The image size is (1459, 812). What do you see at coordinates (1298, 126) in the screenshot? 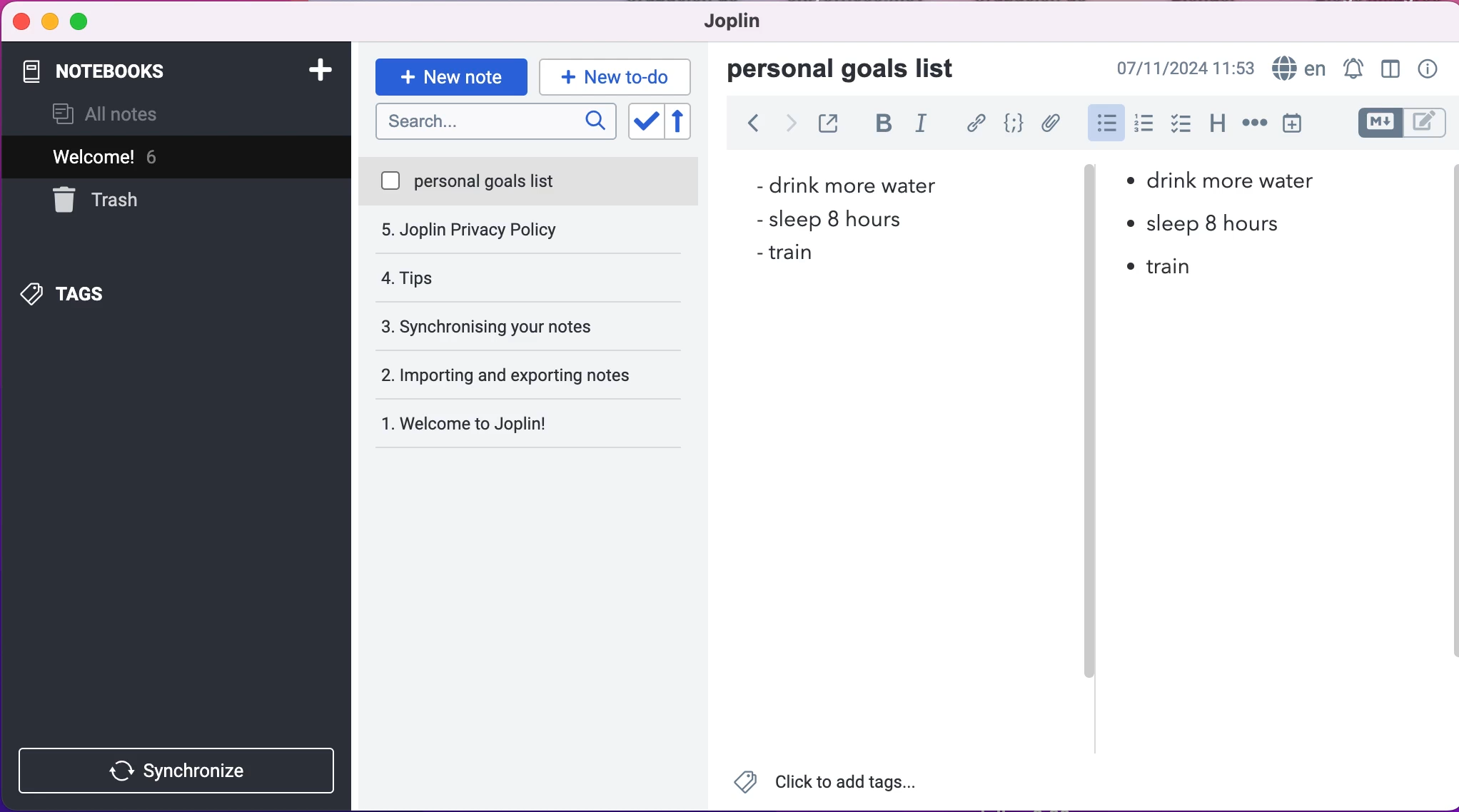
I see `insert time` at bounding box center [1298, 126].